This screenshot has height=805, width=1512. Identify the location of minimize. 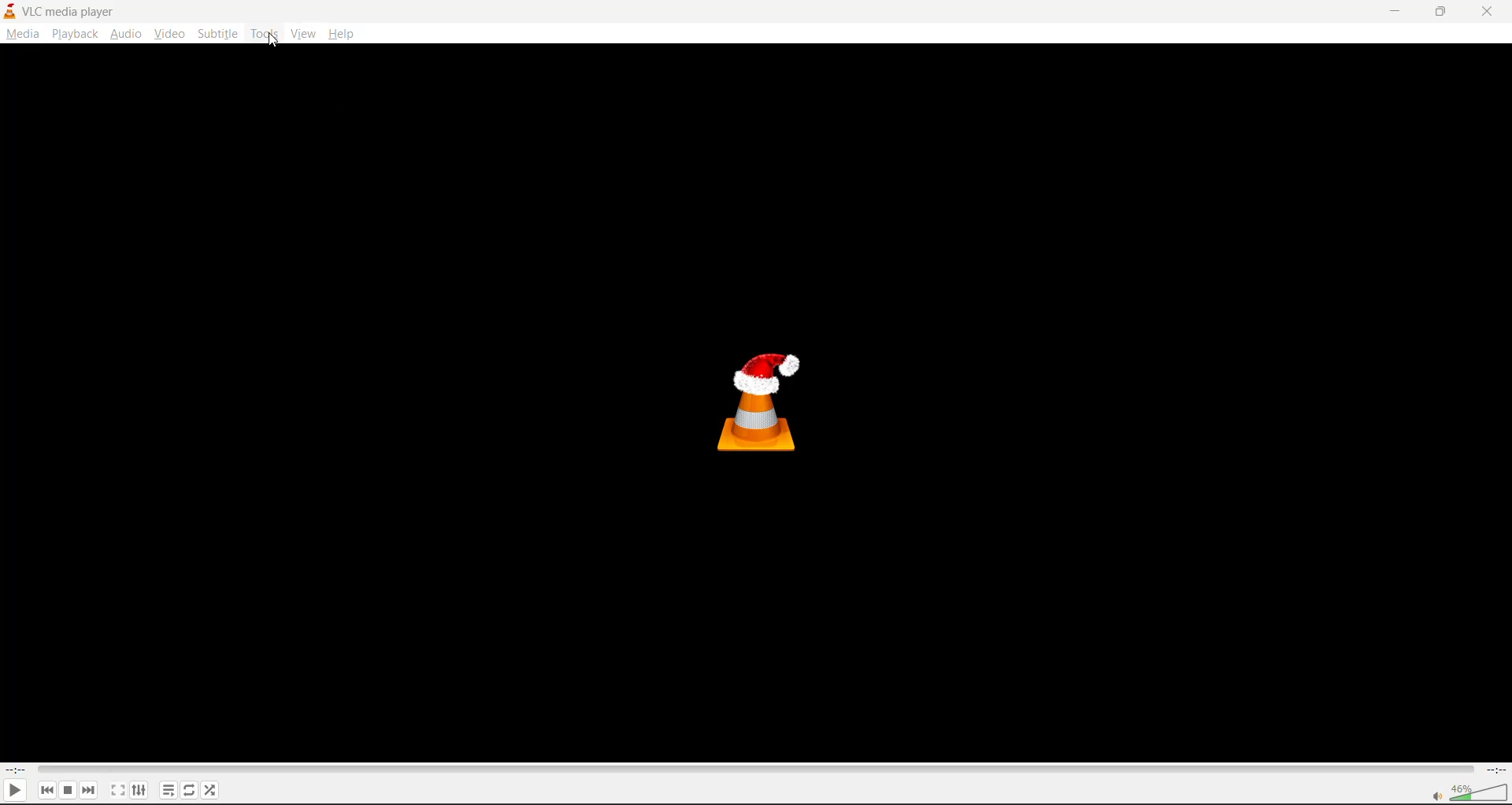
(1393, 12).